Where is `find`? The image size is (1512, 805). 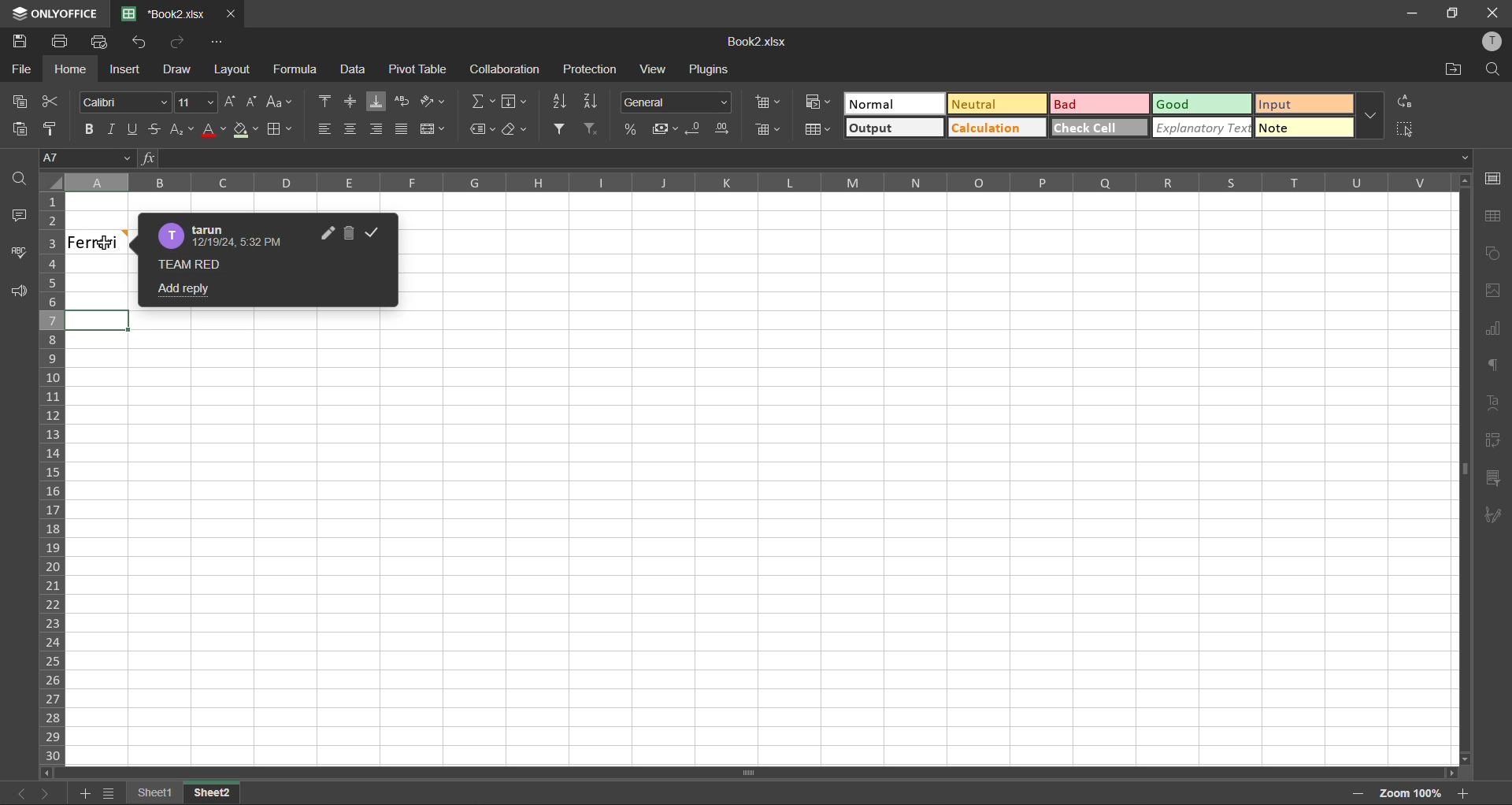
find is located at coordinates (20, 180).